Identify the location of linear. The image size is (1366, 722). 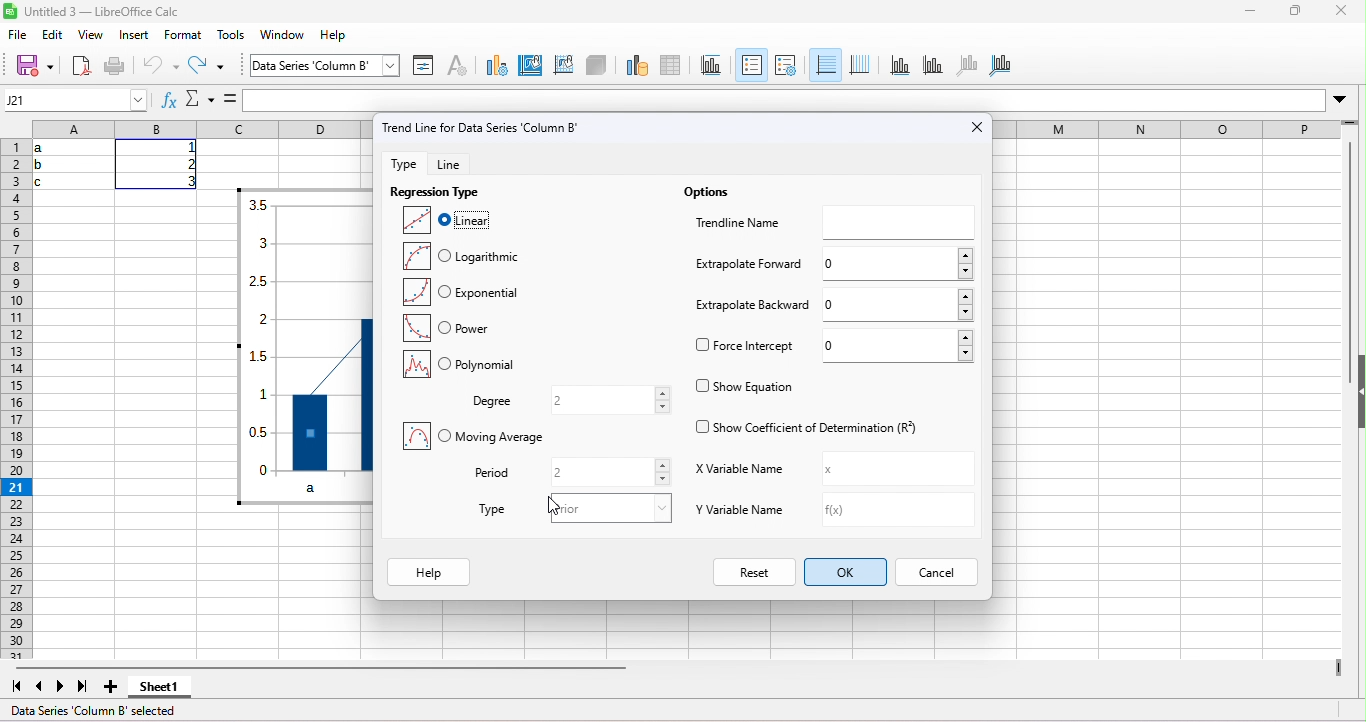
(457, 221).